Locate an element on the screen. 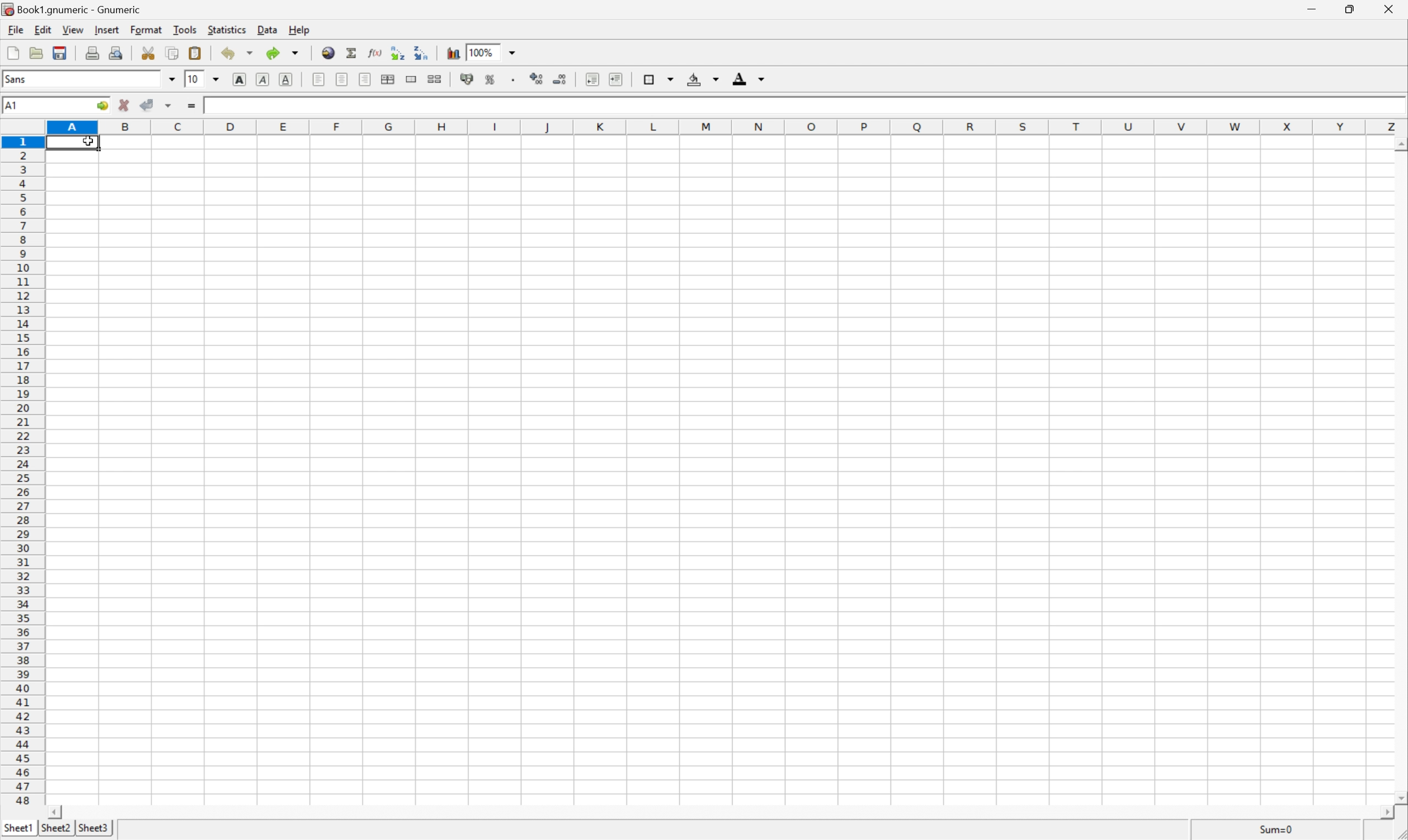 Image resolution: width=1408 pixels, height=840 pixels. Set the format of the selected cells to include a thousands separator is located at coordinates (511, 79).